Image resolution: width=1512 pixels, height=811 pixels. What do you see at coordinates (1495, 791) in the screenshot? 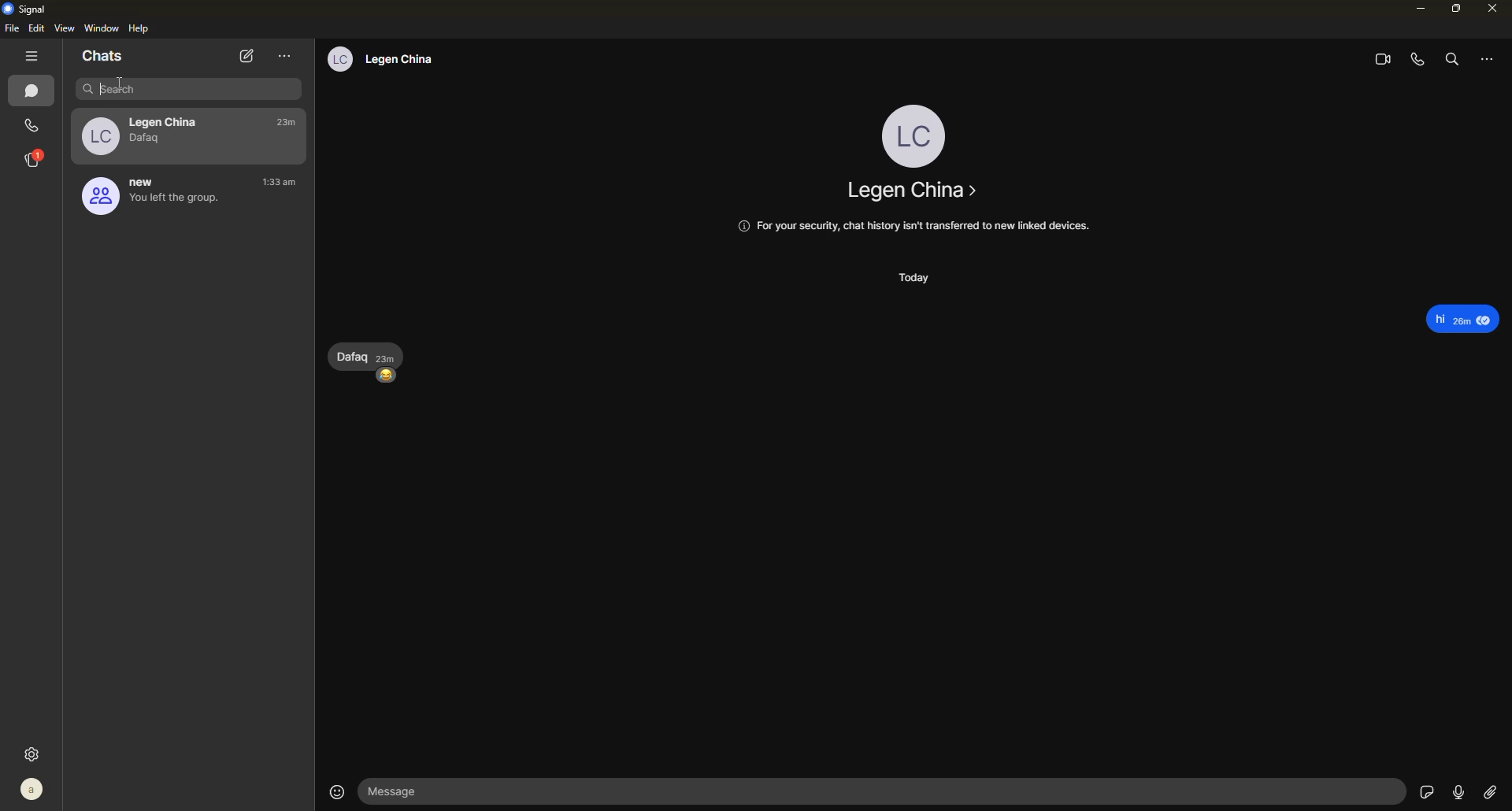
I see `attach` at bounding box center [1495, 791].